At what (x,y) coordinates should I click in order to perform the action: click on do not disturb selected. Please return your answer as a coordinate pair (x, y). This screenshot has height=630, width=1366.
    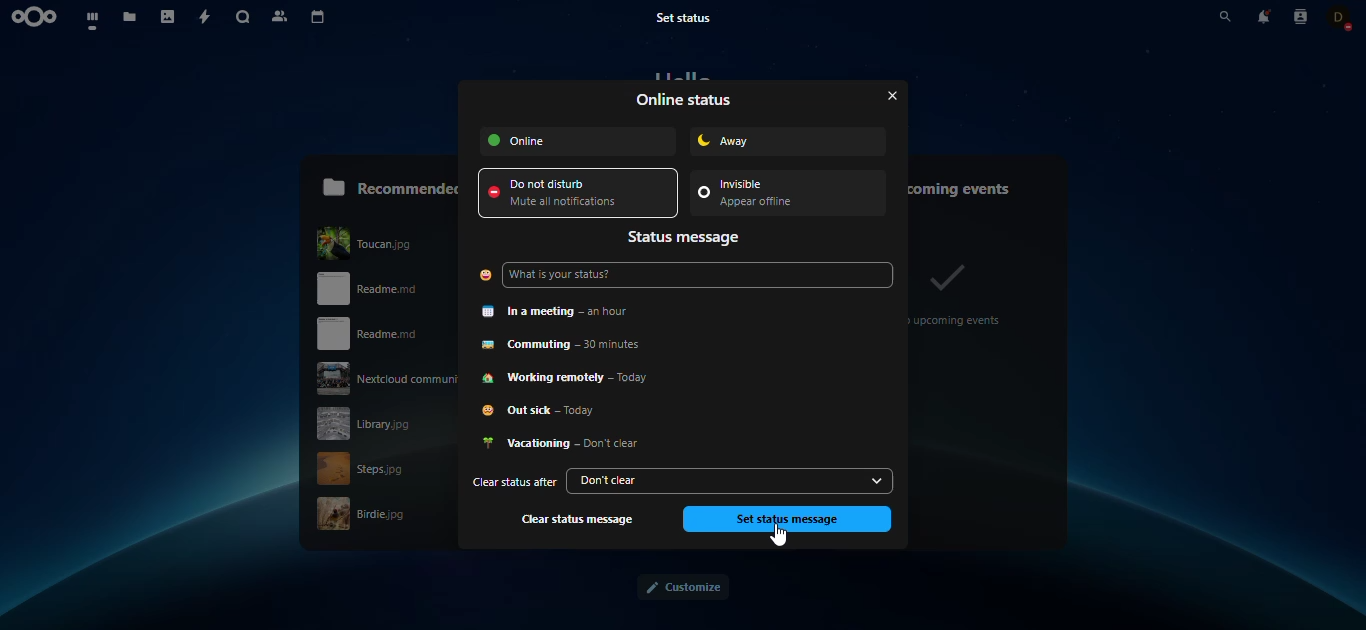
    Looking at the image, I should click on (579, 194).